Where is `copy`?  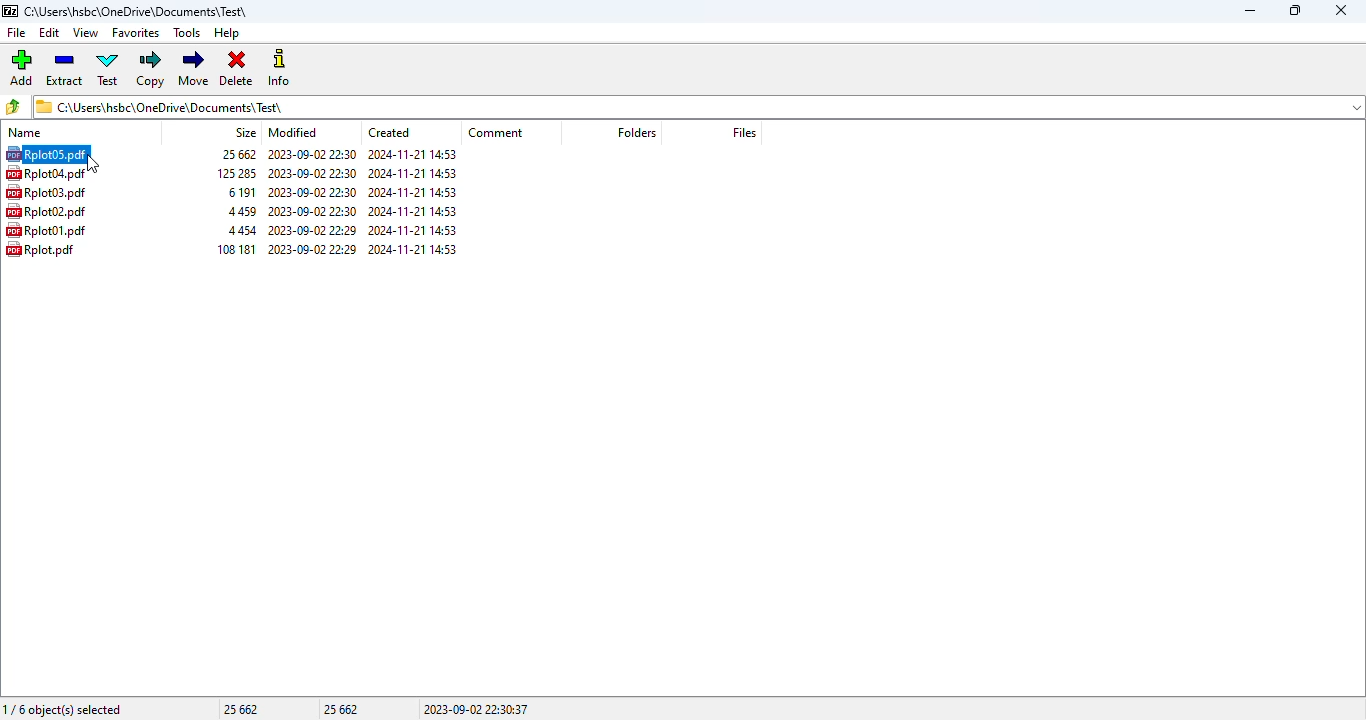
copy is located at coordinates (151, 69).